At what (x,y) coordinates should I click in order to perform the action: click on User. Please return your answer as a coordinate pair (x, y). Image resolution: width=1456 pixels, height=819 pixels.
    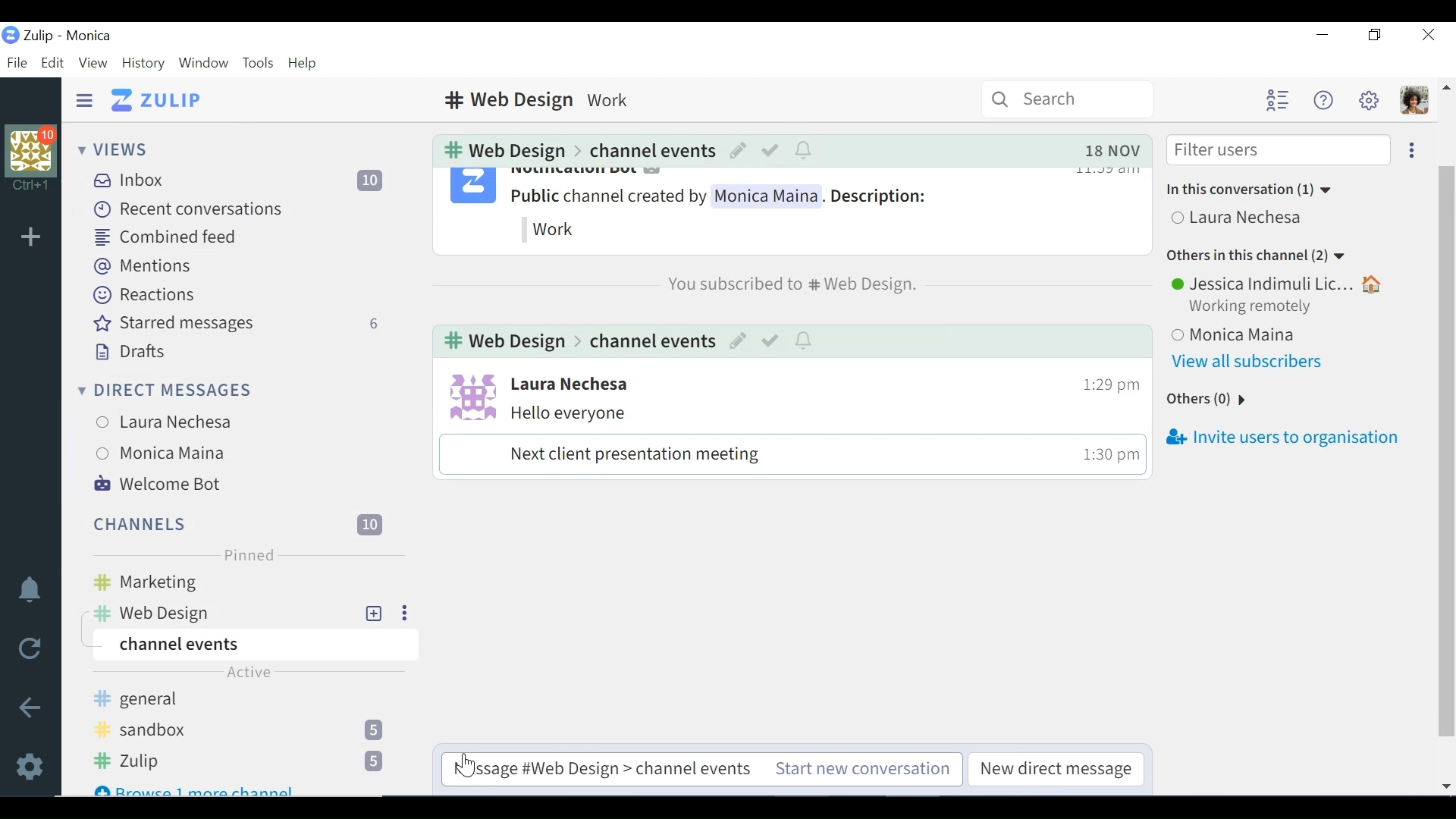
    Looking at the image, I should click on (570, 384).